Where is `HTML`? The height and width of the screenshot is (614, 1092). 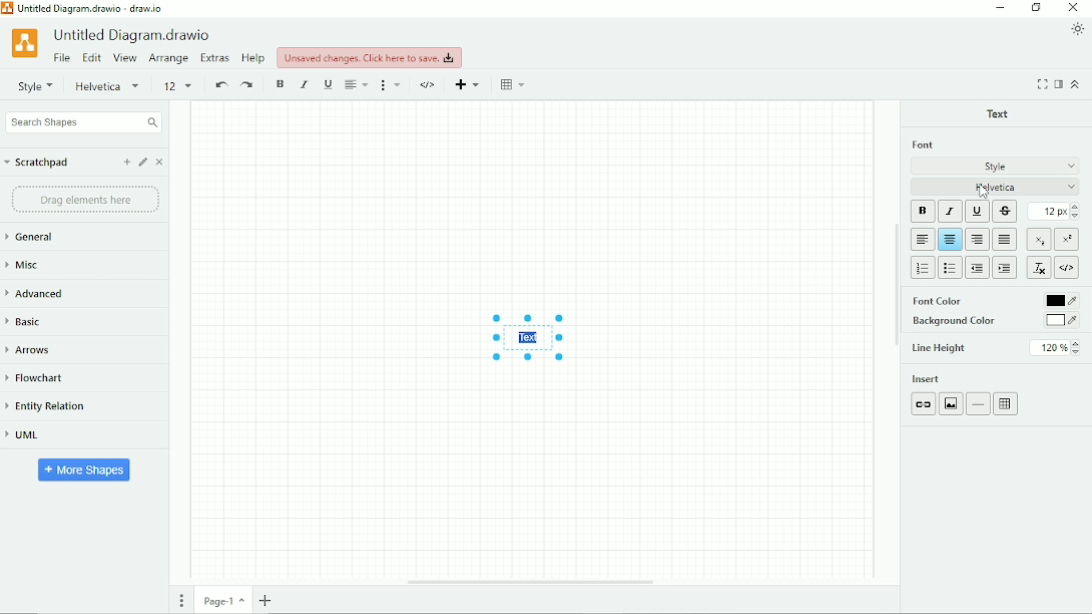
HTML is located at coordinates (1067, 268).